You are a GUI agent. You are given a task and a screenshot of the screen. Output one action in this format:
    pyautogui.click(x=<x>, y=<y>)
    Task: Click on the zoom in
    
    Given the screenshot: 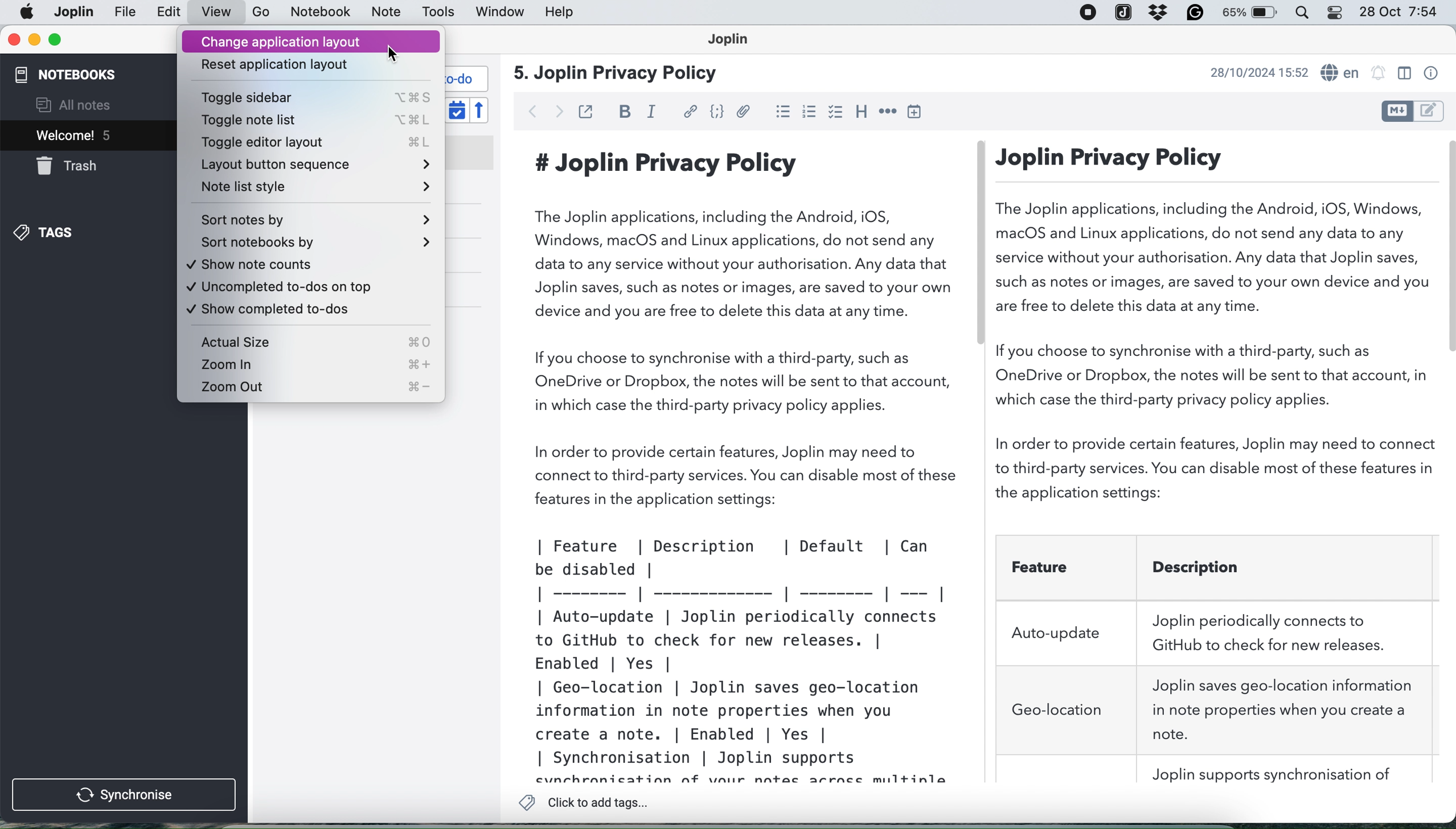 What is the action you would take?
    pyautogui.click(x=314, y=364)
    